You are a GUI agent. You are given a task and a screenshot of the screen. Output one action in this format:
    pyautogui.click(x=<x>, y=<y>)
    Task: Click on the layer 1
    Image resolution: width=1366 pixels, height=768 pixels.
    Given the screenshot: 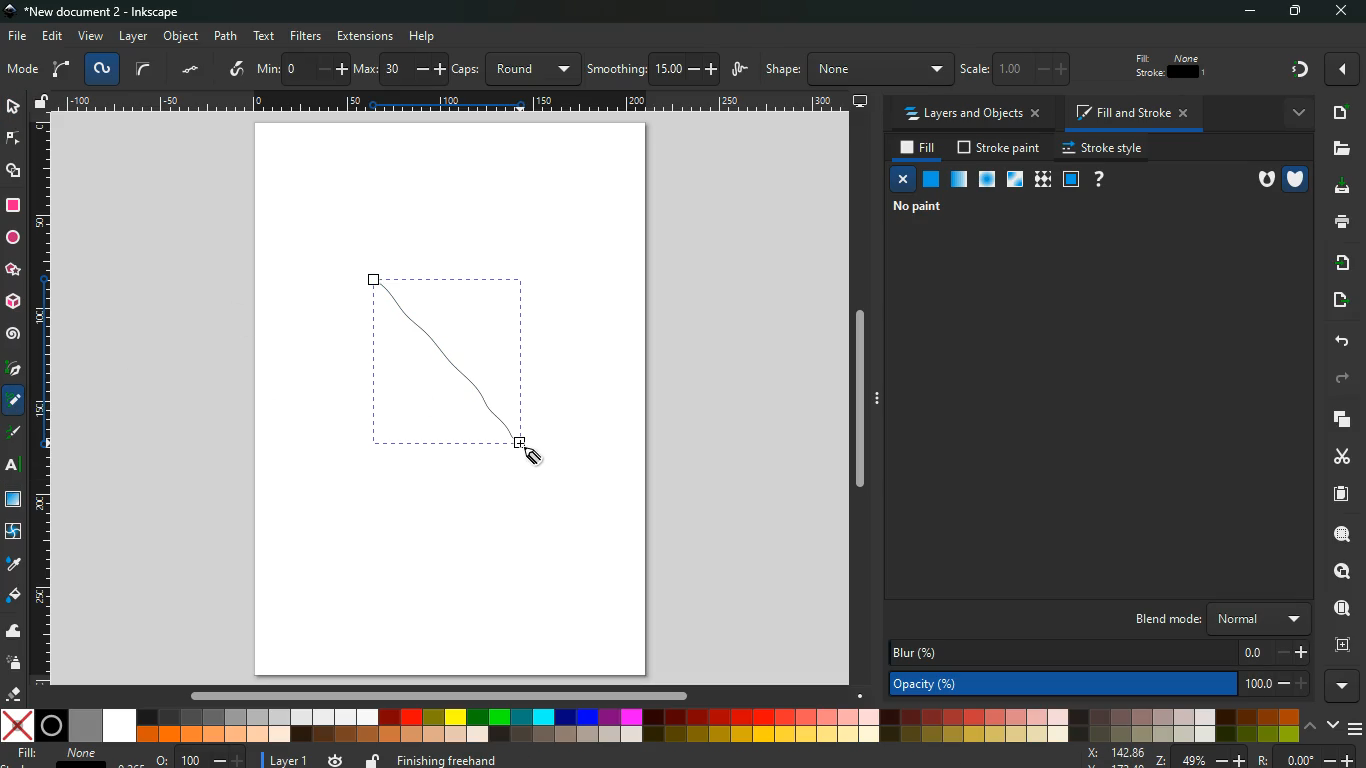 What is the action you would take?
    pyautogui.click(x=291, y=759)
    